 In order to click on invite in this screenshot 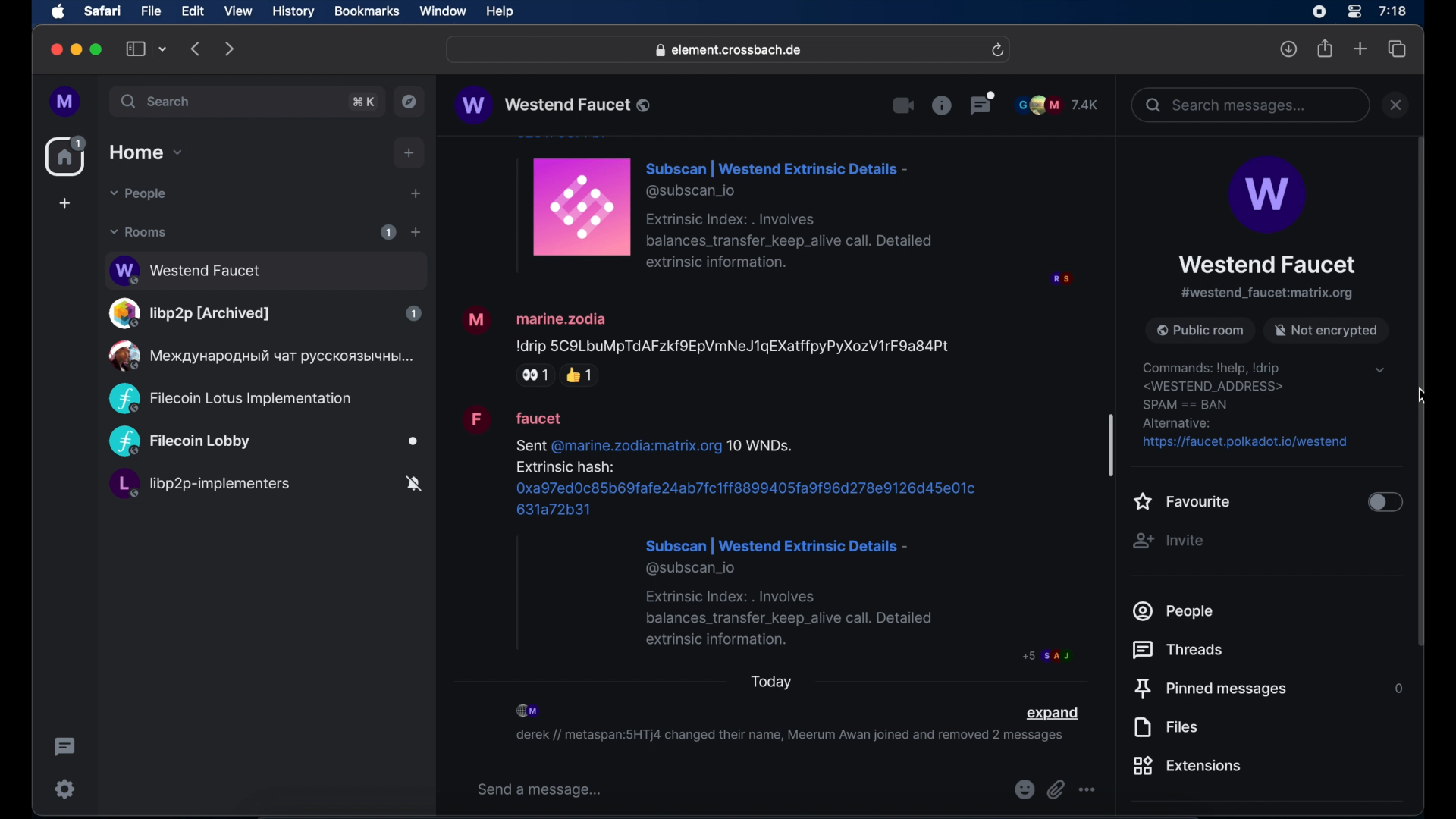, I will do `click(1169, 540)`.